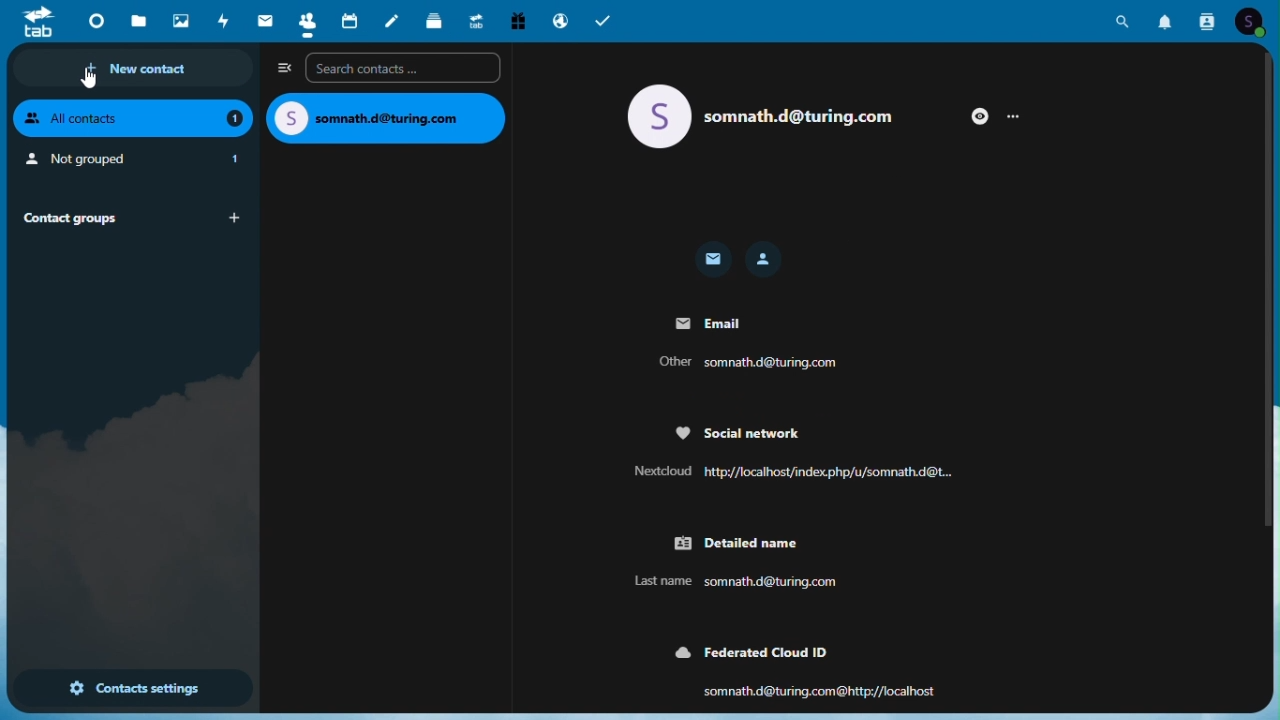  Describe the element at coordinates (131, 690) in the screenshot. I see `Contact settings` at that location.